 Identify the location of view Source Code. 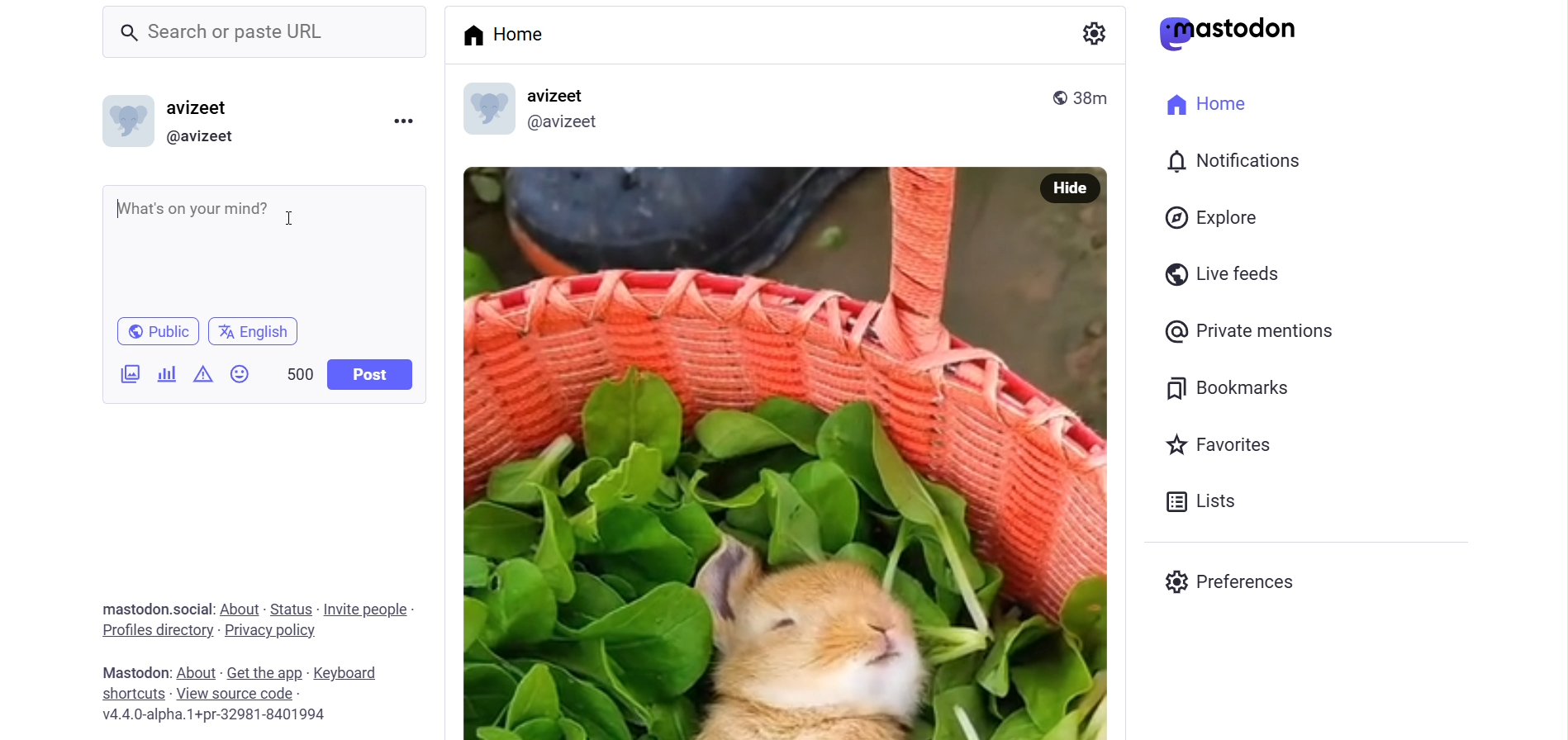
(240, 693).